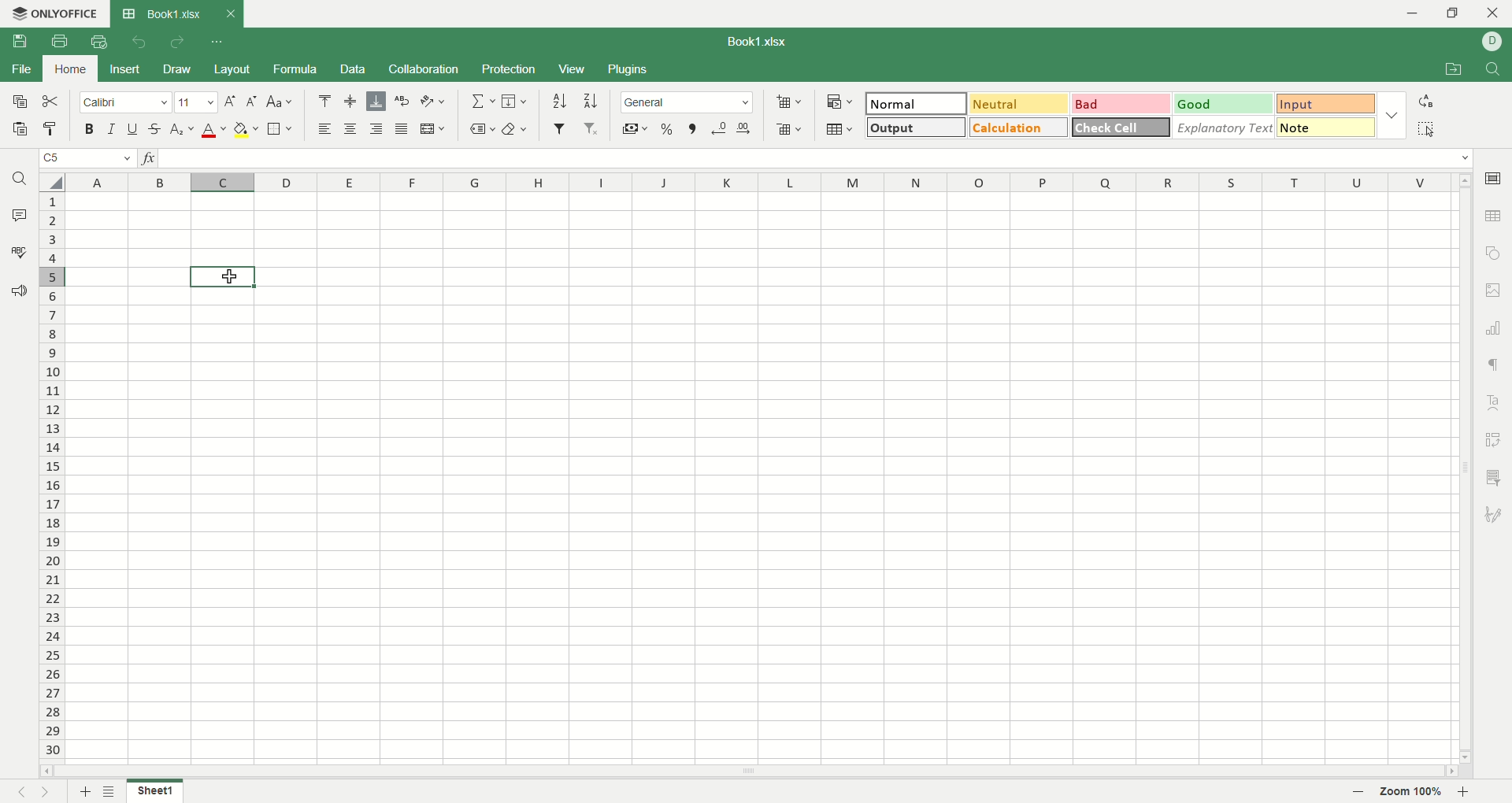  What do you see at coordinates (20, 71) in the screenshot?
I see `file` at bounding box center [20, 71].